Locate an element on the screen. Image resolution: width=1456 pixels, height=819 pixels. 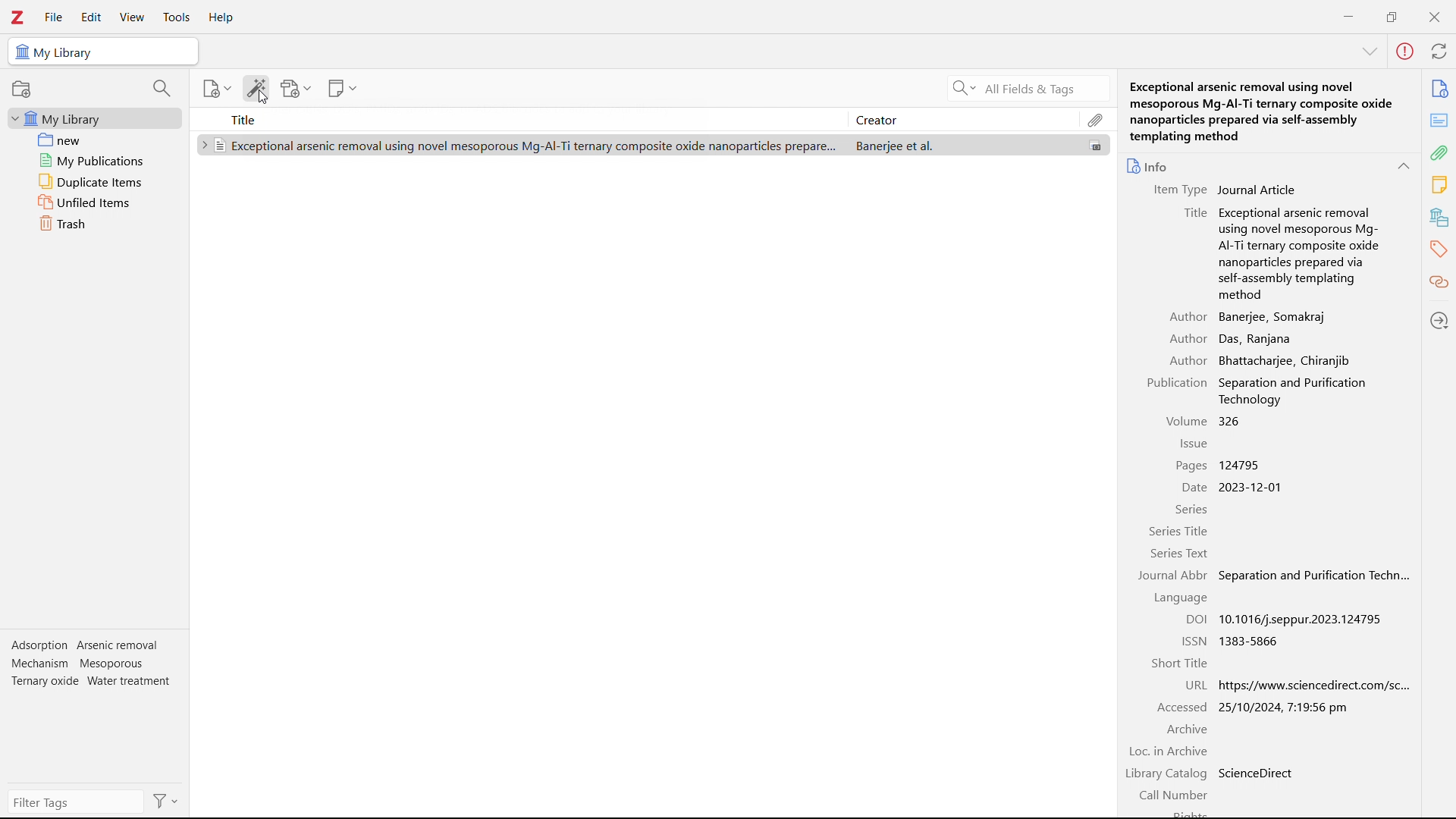
my library is located at coordinates (95, 118).